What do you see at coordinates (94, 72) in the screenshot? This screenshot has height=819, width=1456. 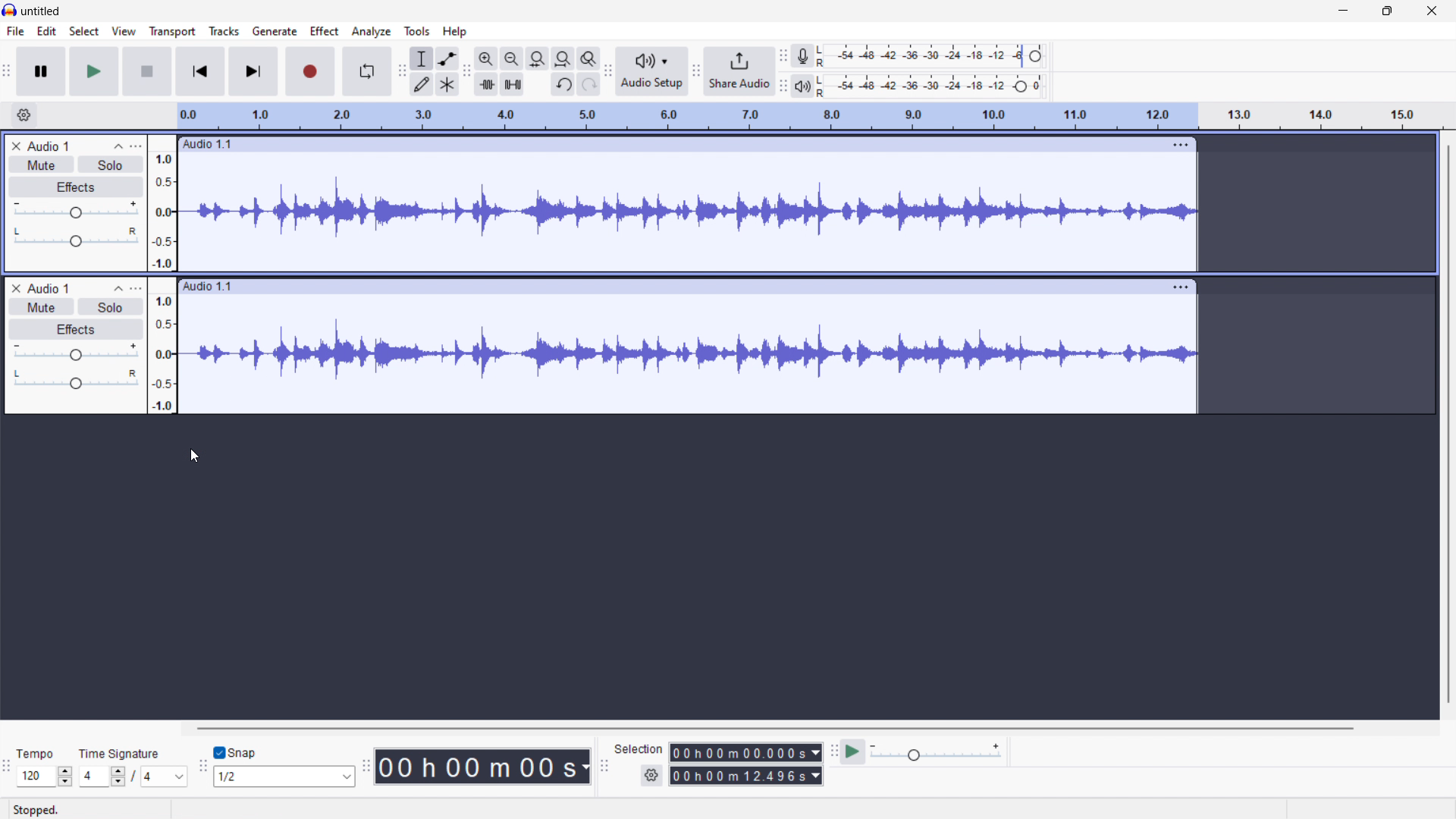 I see `play` at bounding box center [94, 72].